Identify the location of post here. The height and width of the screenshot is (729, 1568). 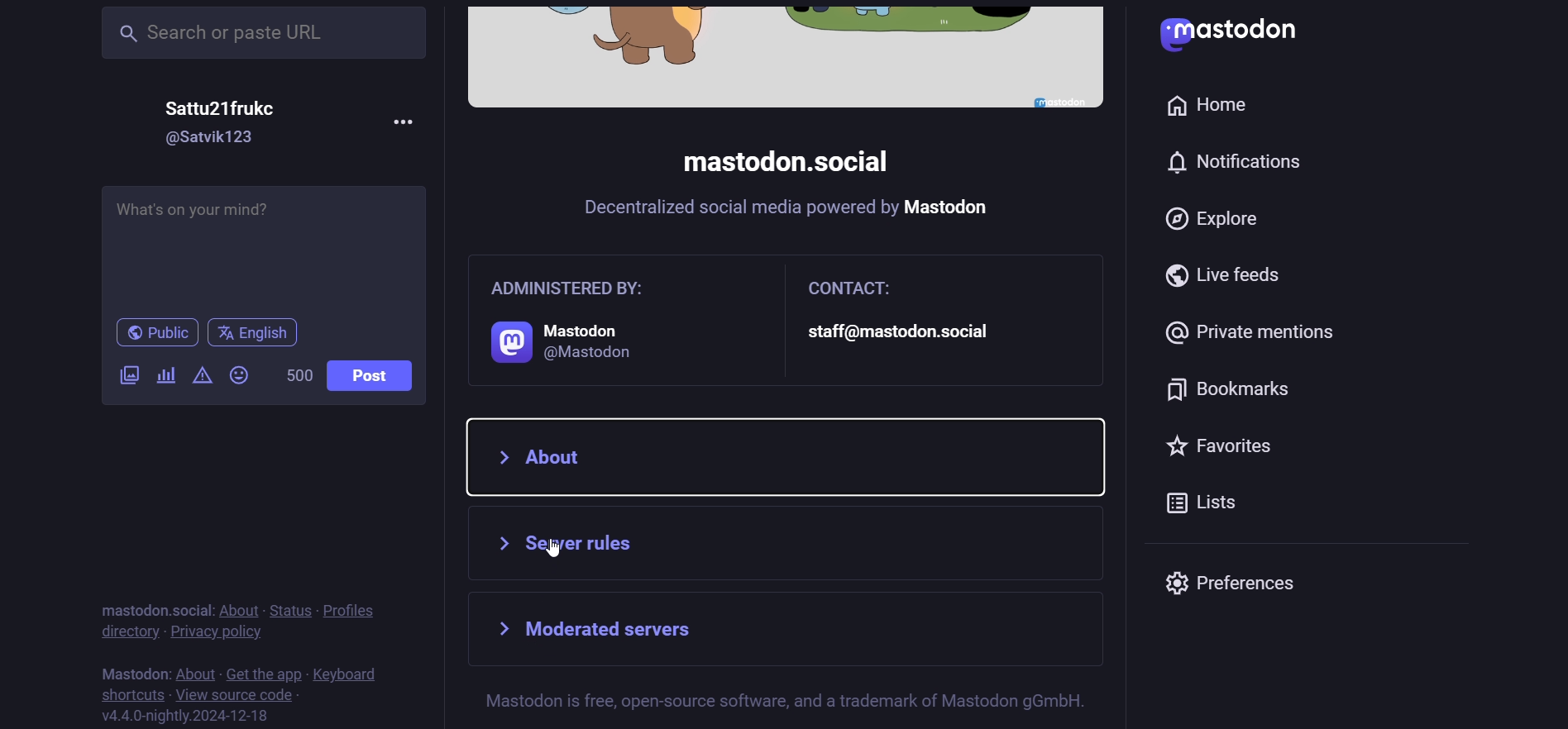
(261, 243).